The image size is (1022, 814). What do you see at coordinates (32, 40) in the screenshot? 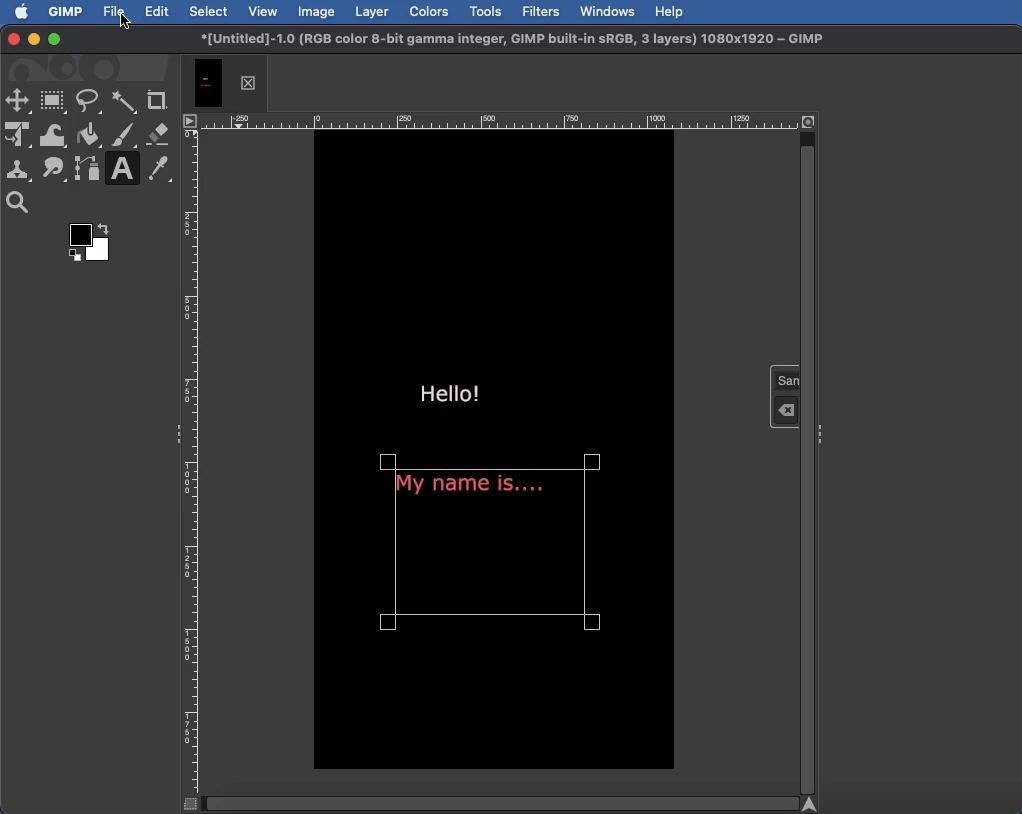
I see `Minimize` at bounding box center [32, 40].